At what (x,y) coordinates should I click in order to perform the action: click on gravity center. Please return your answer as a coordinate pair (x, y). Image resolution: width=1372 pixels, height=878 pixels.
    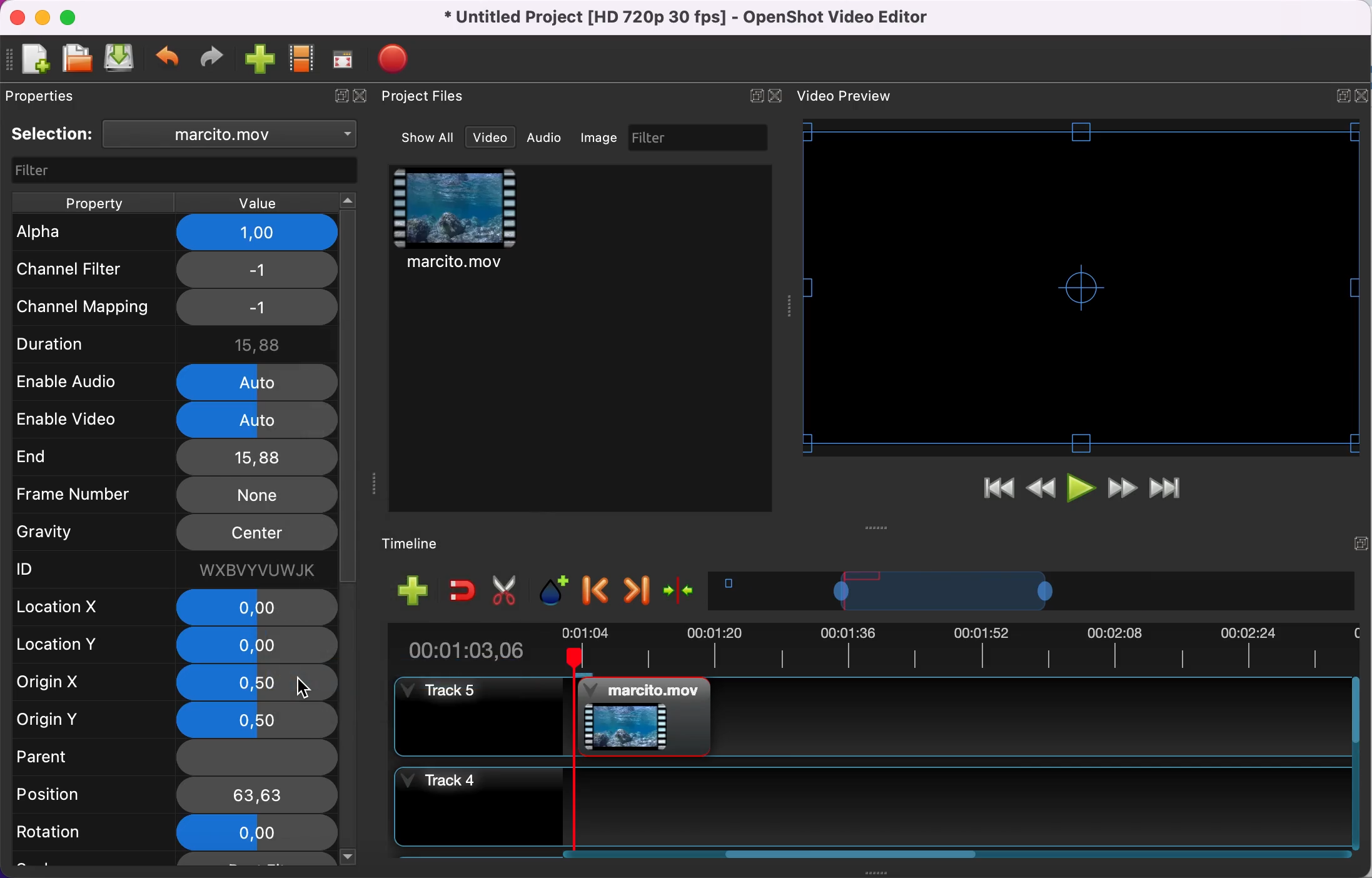
    Looking at the image, I should click on (176, 533).